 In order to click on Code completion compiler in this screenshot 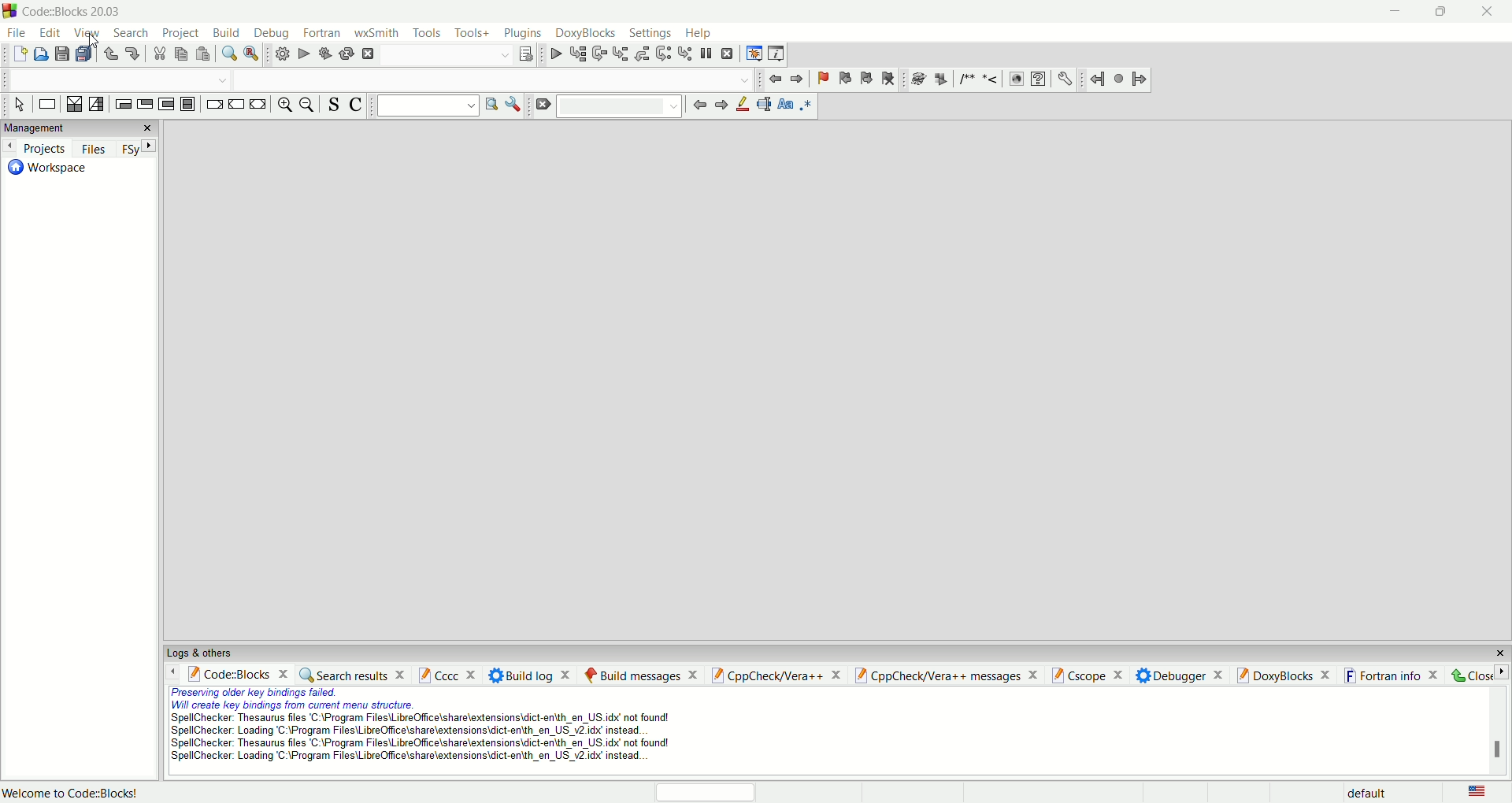, I will do `click(495, 81)`.